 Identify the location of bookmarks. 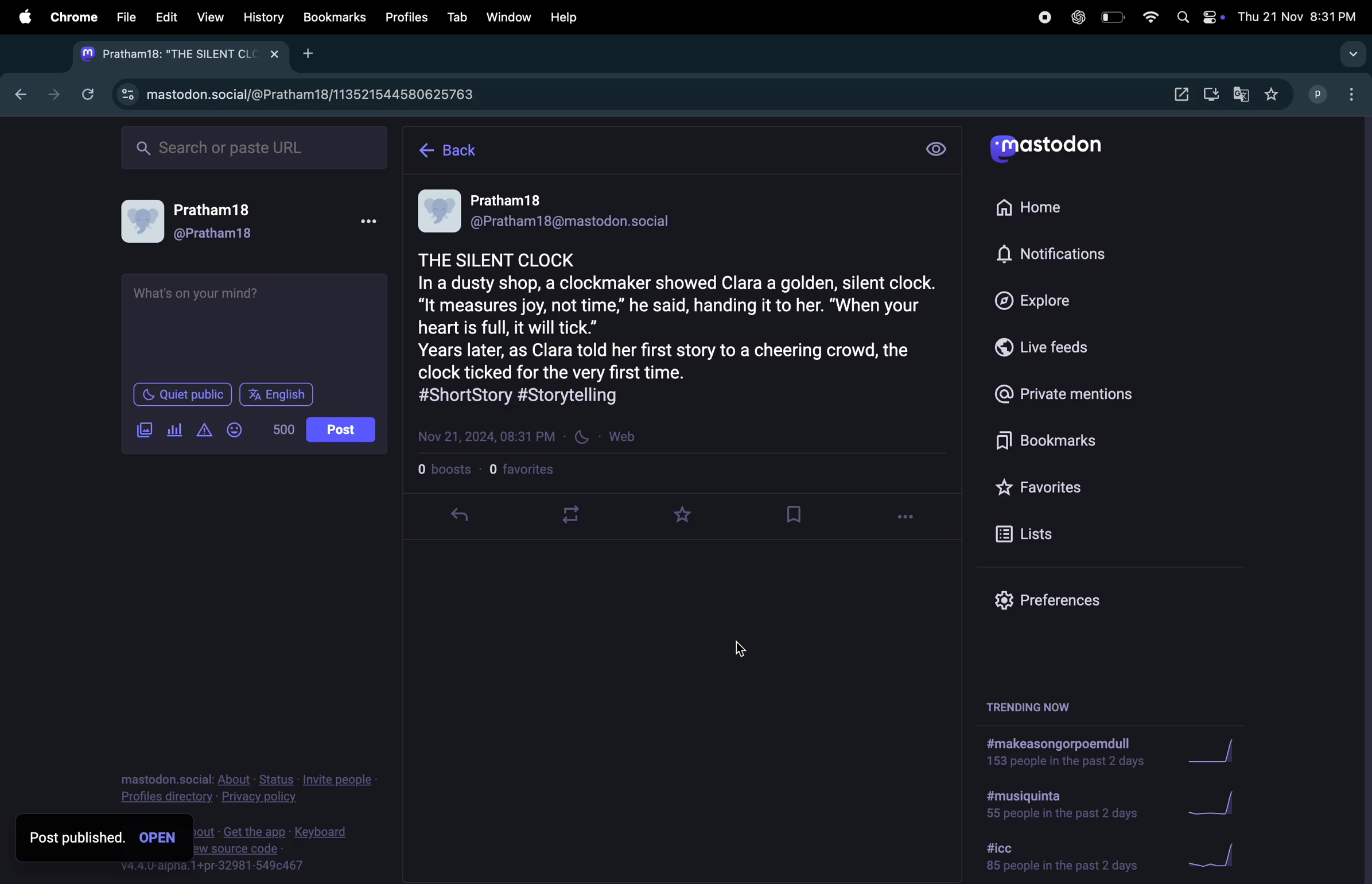
(1045, 441).